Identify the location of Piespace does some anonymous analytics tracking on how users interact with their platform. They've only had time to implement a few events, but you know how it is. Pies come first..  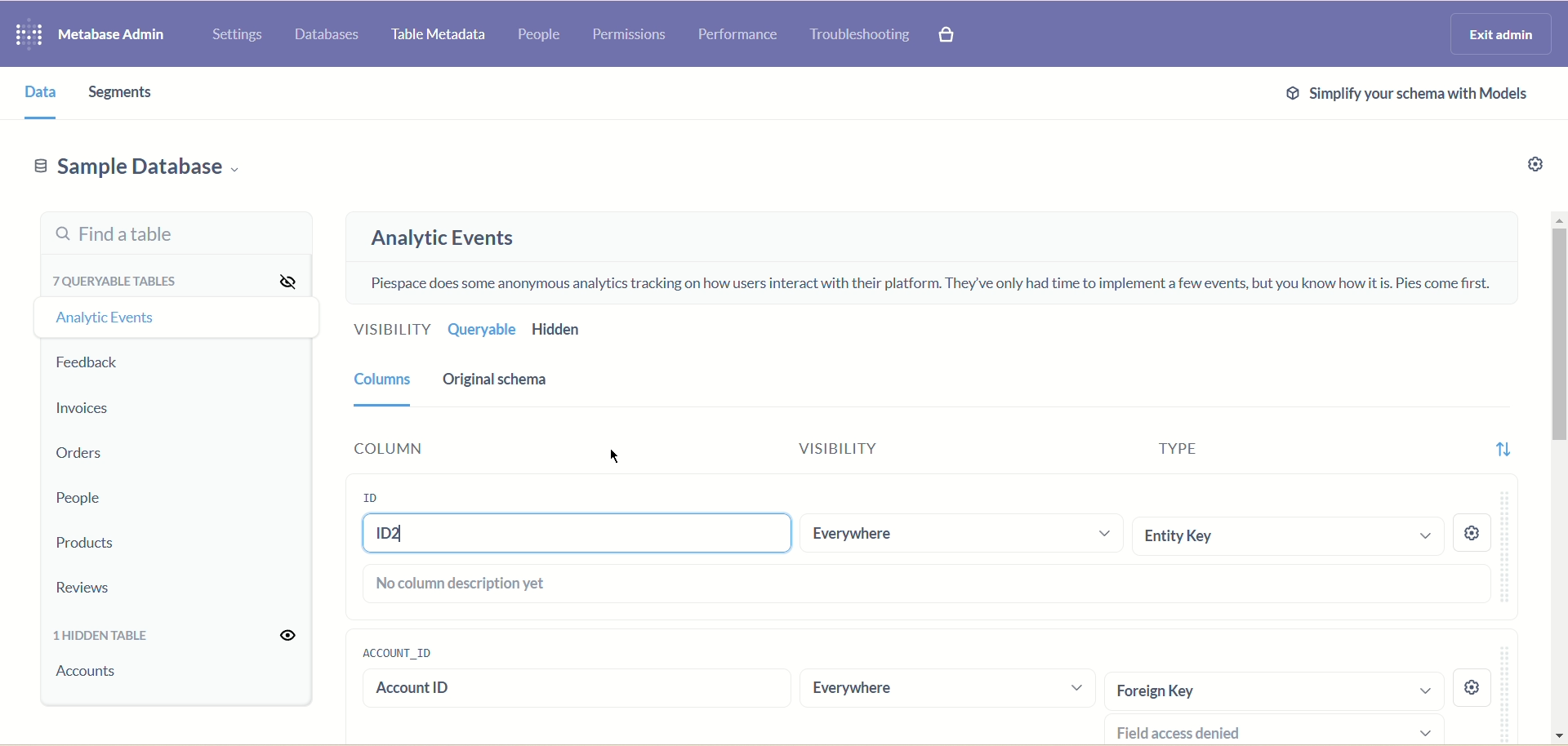
(932, 285).